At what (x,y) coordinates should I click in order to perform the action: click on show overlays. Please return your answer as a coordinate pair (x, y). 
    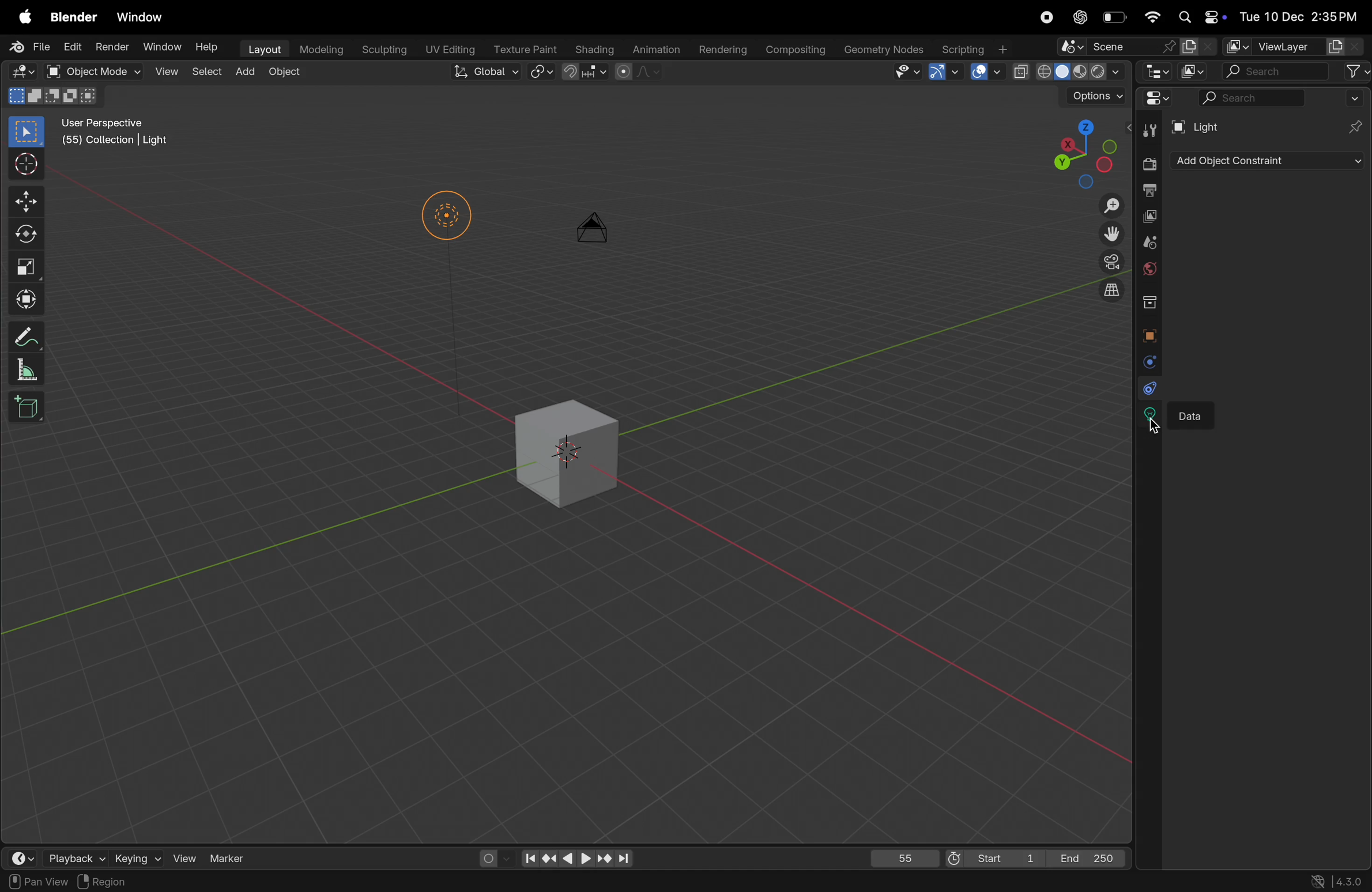
    Looking at the image, I should click on (986, 72).